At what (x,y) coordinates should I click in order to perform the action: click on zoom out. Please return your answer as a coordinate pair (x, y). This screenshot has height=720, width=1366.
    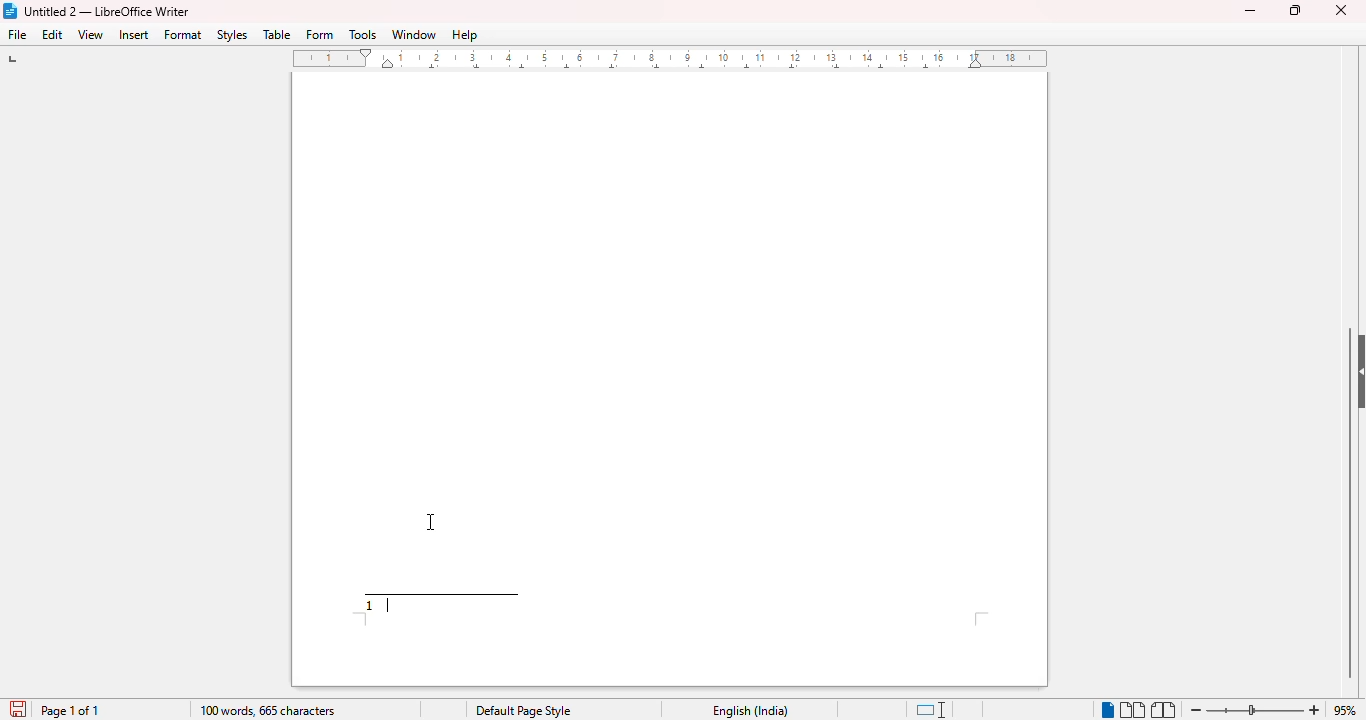
    Looking at the image, I should click on (1197, 710).